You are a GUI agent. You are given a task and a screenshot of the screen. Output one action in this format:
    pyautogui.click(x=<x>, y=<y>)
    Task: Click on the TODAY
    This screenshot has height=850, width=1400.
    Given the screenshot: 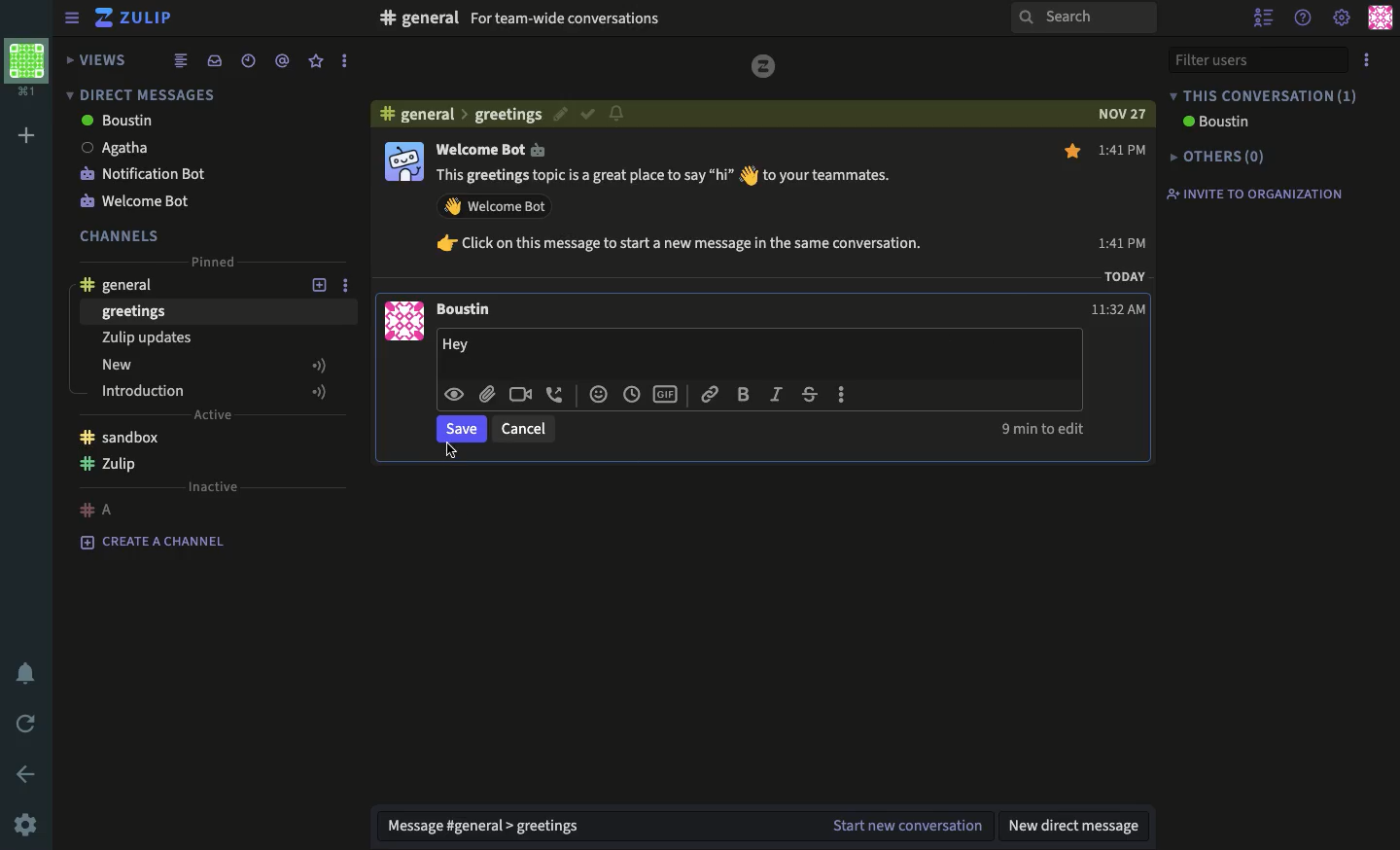 What is the action you would take?
    pyautogui.click(x=1124, y=279)
    